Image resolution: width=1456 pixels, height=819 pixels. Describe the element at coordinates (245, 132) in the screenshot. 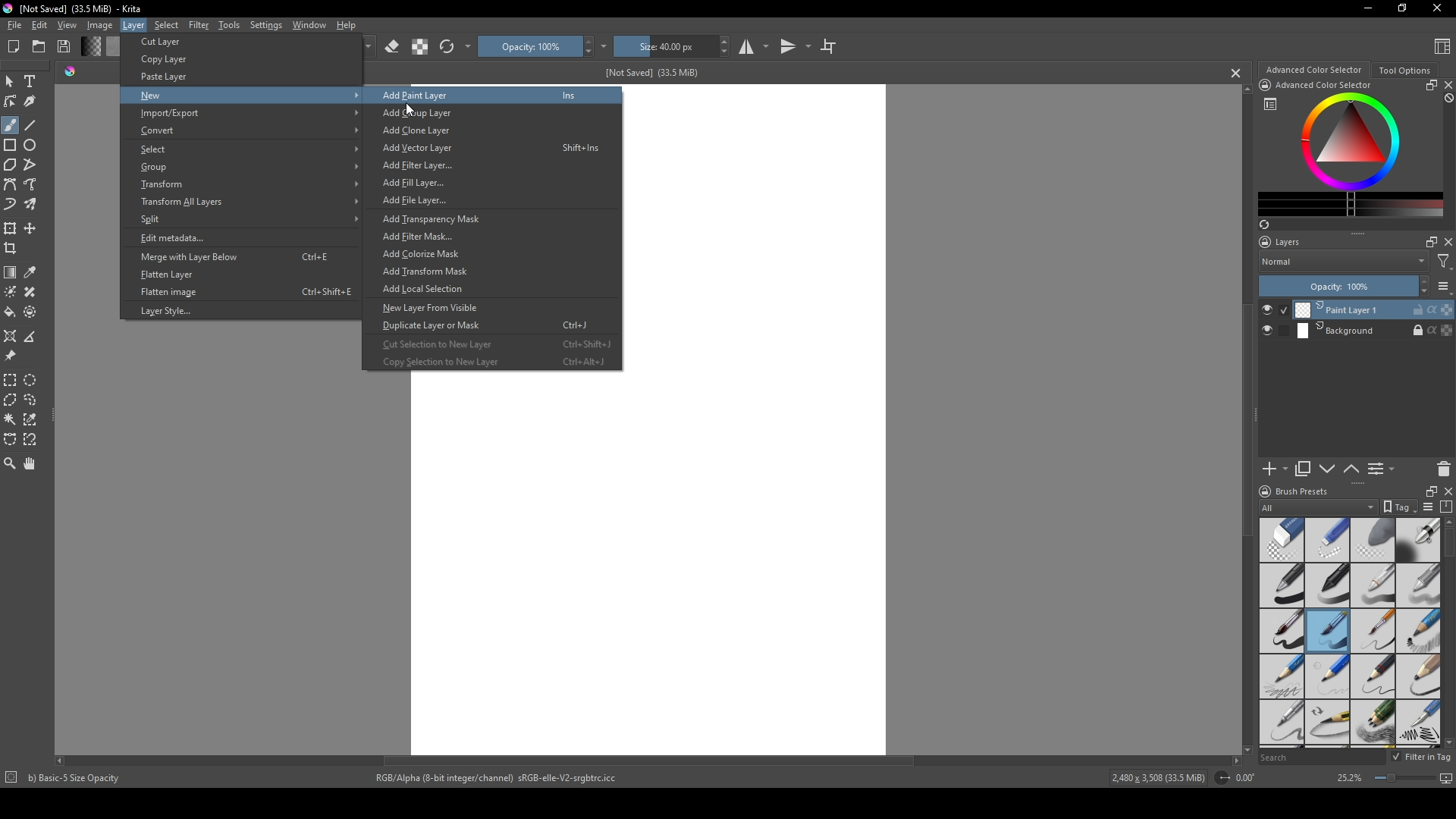

I see `Convert` at that location.